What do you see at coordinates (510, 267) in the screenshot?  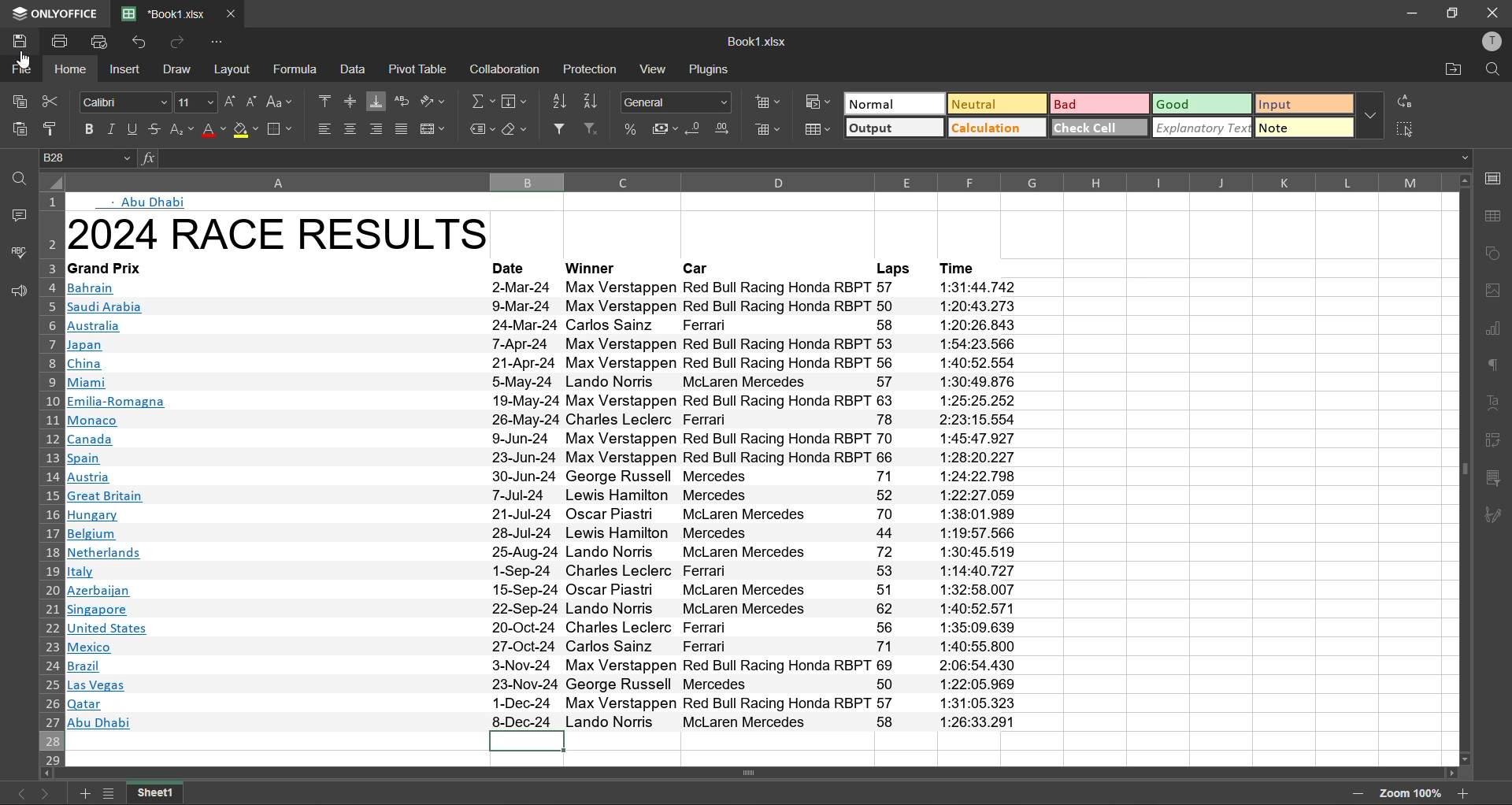 I see `Date` at bounding box center [510, 267].